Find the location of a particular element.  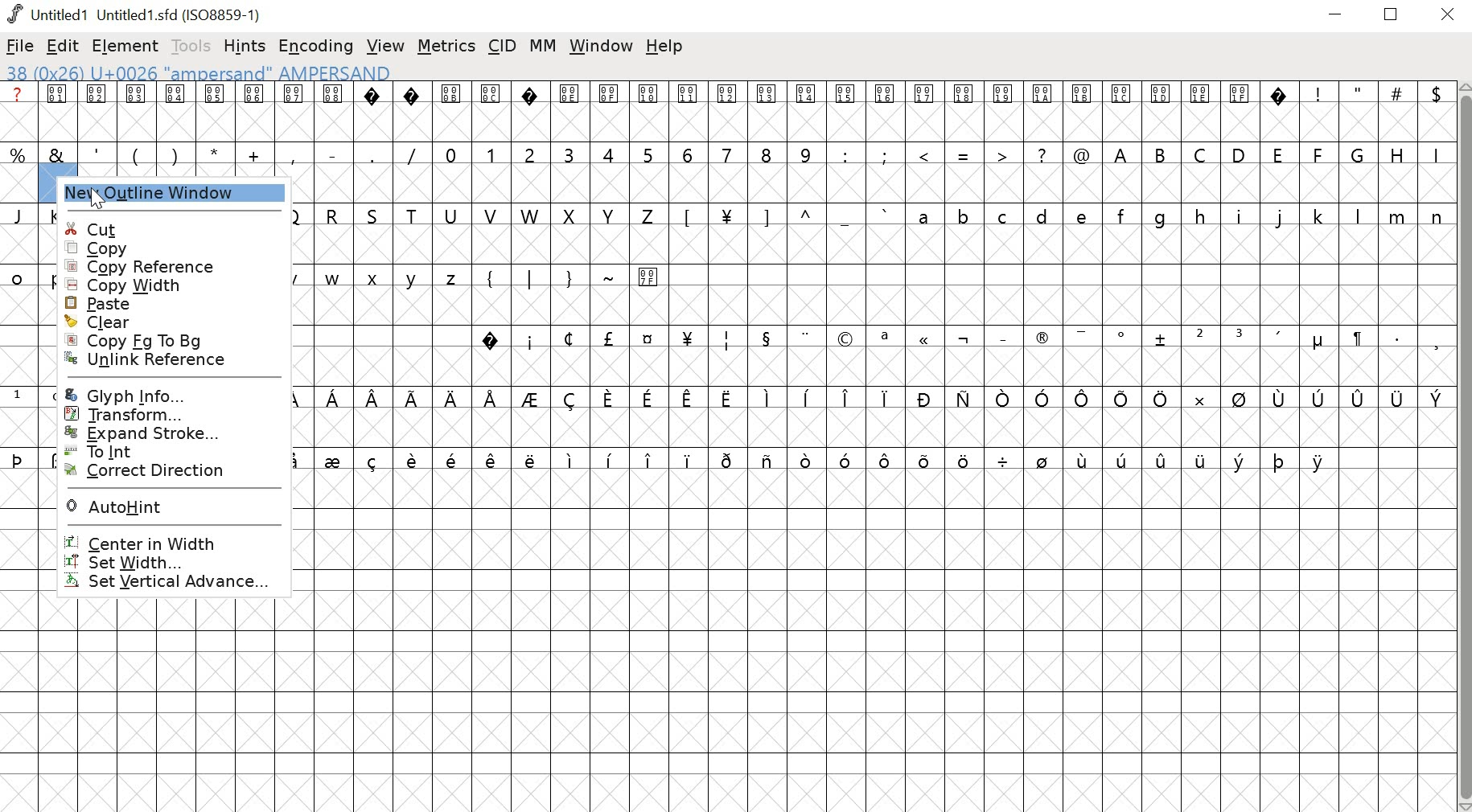

mm is located at coordinates (543, 45).